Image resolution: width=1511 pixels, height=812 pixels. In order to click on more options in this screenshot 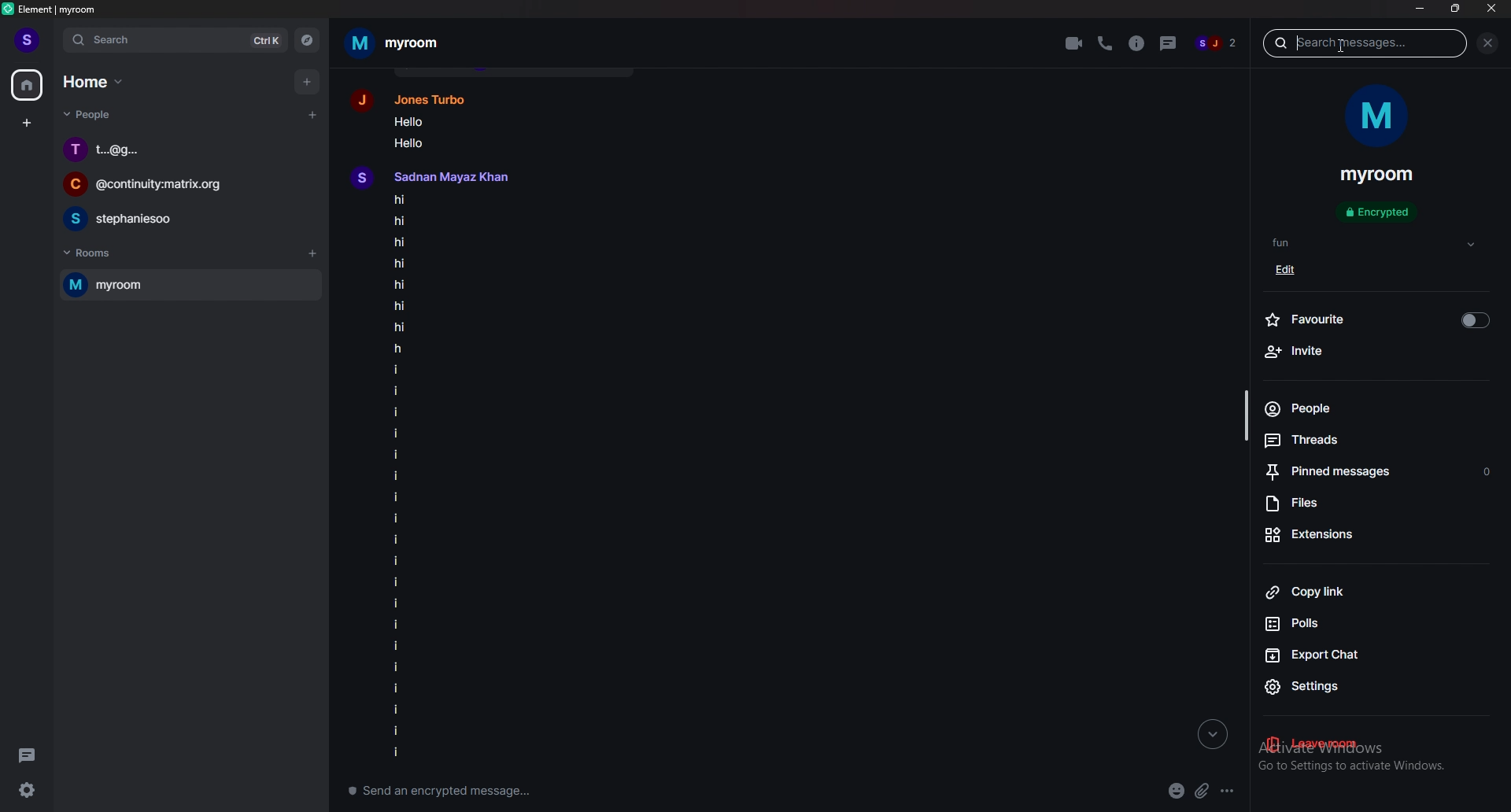, I will do `click(1228, 790)`.